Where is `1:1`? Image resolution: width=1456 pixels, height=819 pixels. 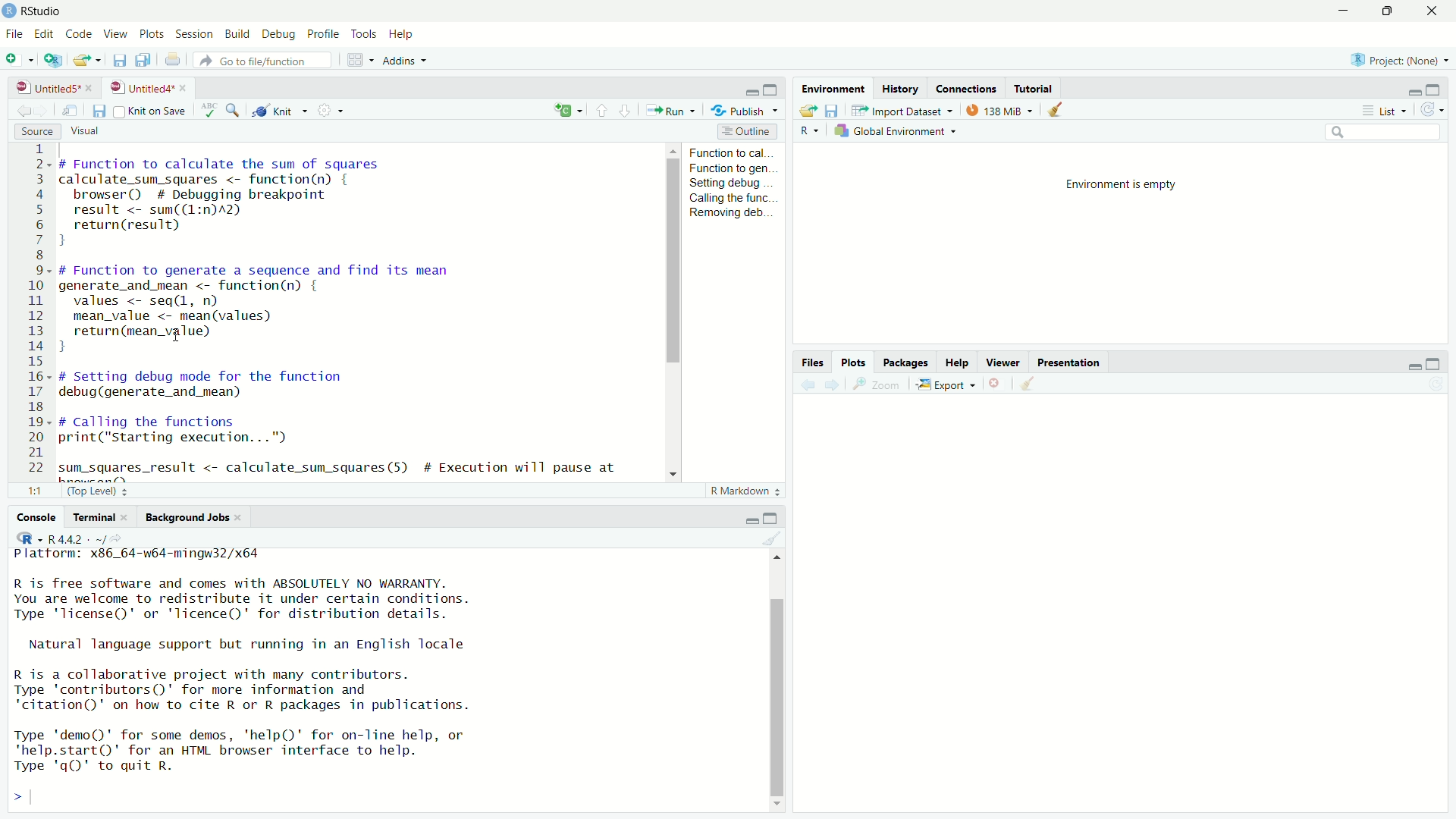
1:1 is located at coordinates (26, 491).